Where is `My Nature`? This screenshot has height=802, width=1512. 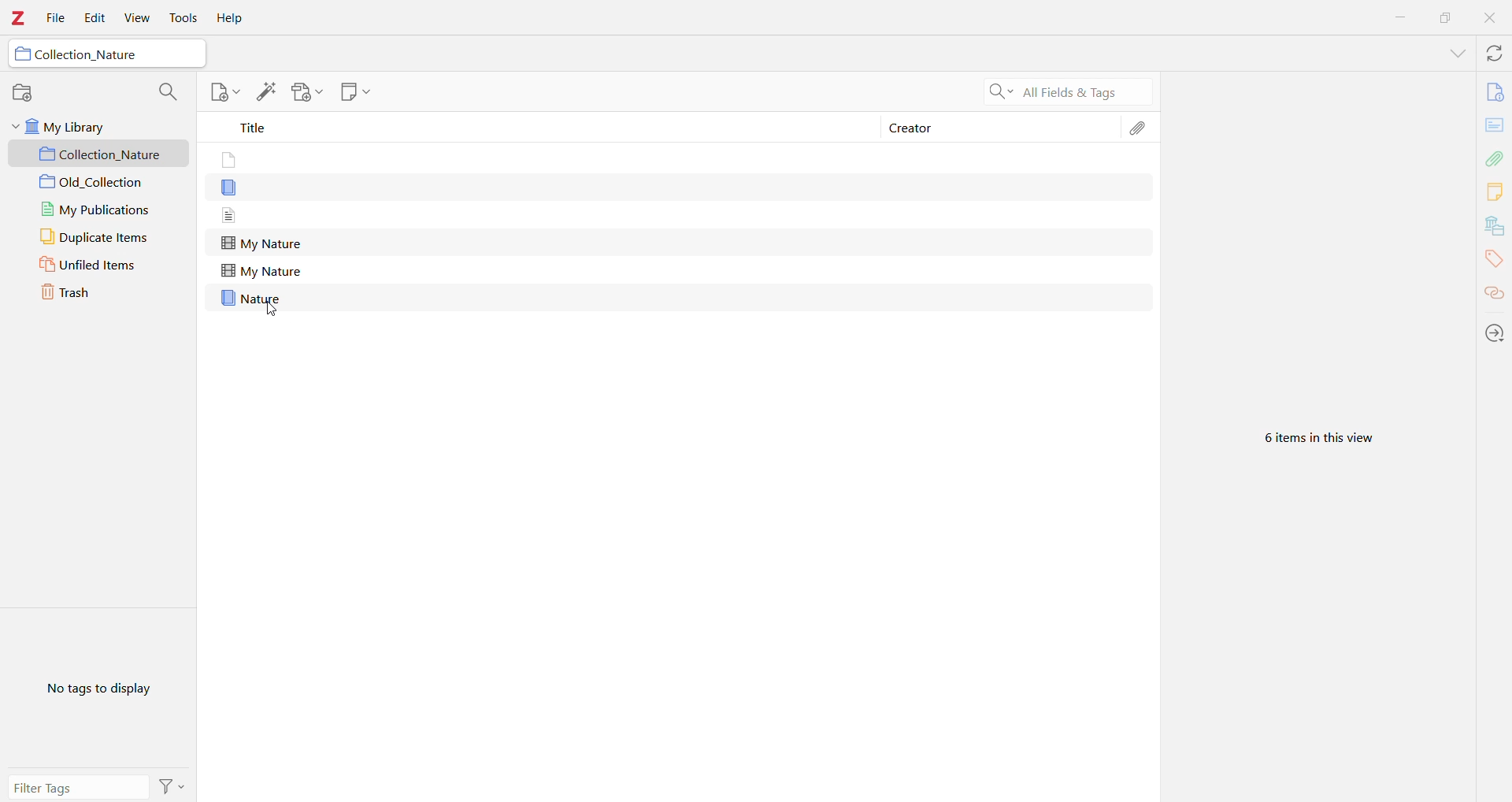 My Nature is located at coordinates (261, 272).